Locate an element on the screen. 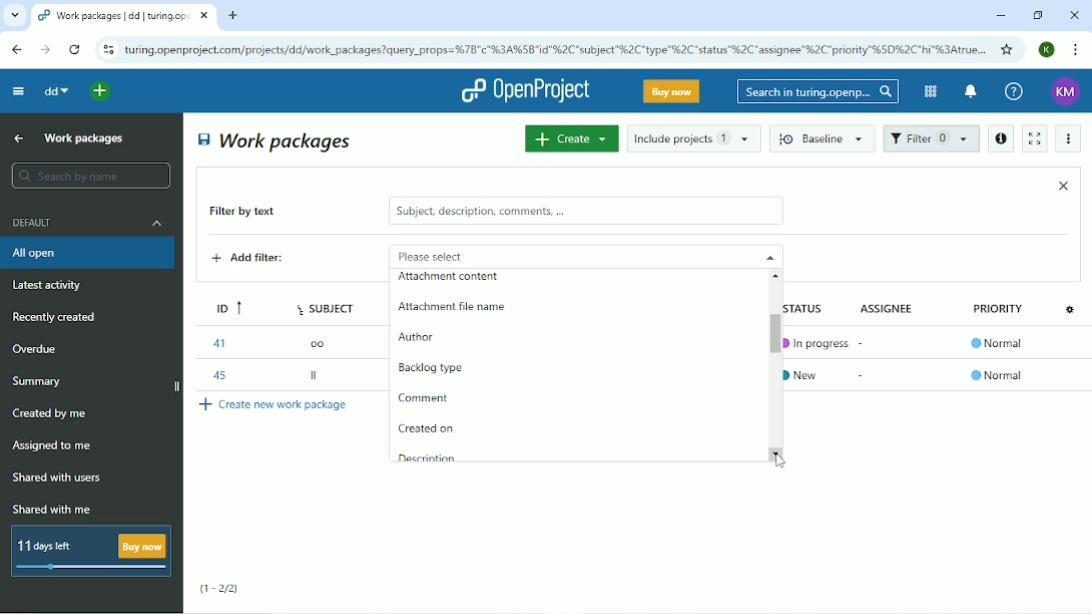 This screenshot has height=614, width=1092. Reload this page is located at coordinates (74, 49).